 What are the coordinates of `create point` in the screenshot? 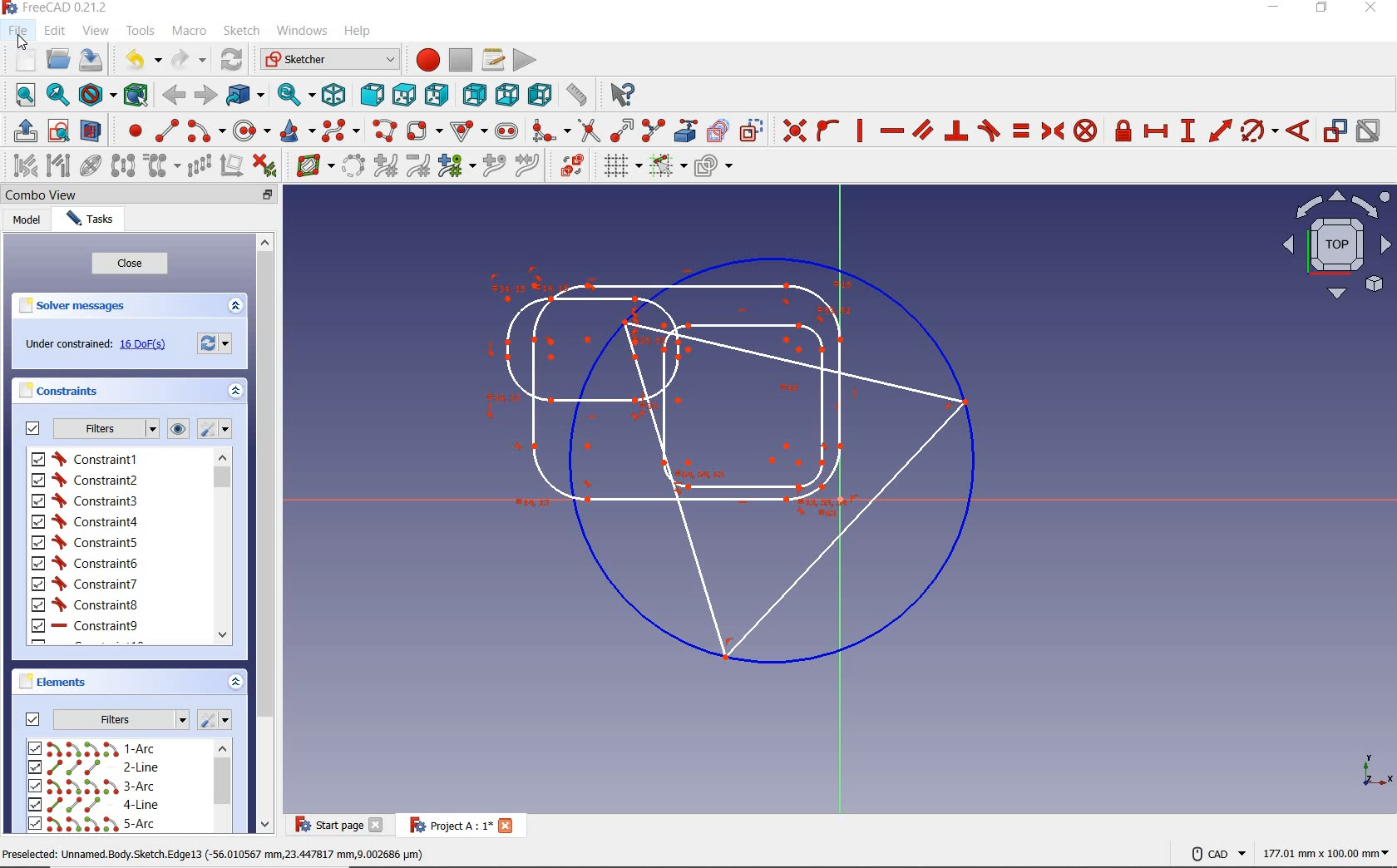 It's located at (128, 131).